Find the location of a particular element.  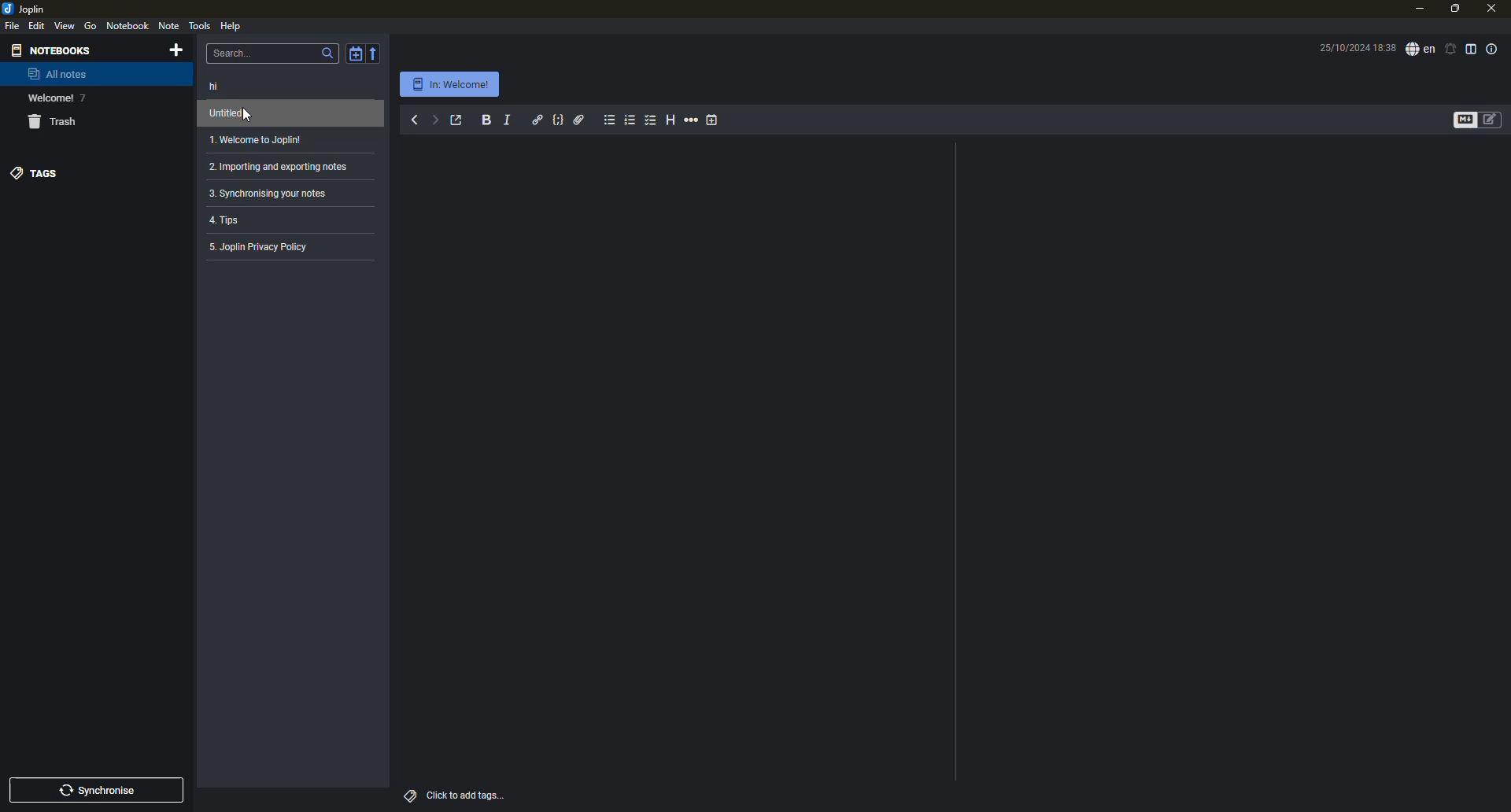

heading is located at coordinates (670, 120).